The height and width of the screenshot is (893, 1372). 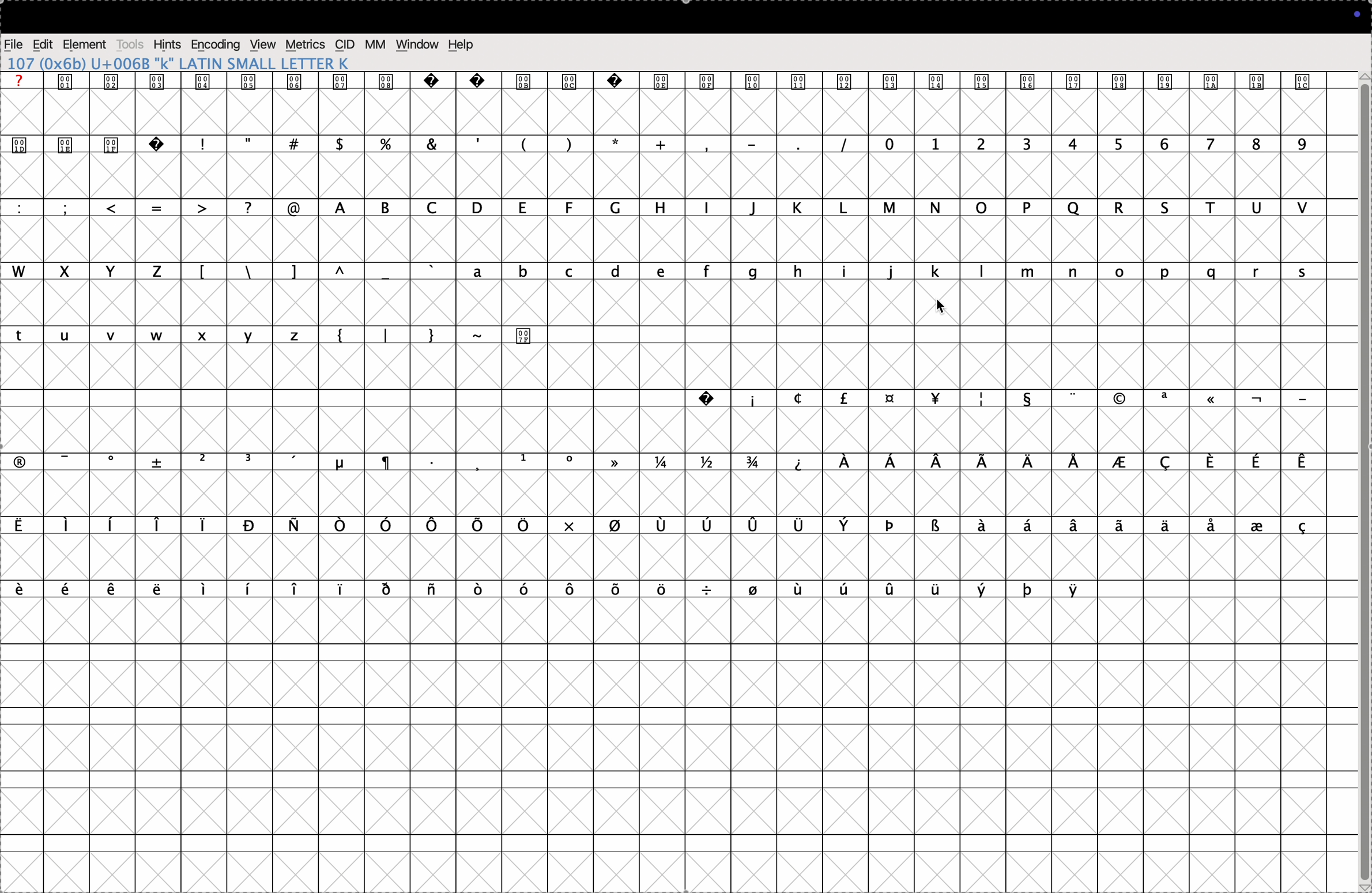 I want to click on hints, so click(x=168, y=44).